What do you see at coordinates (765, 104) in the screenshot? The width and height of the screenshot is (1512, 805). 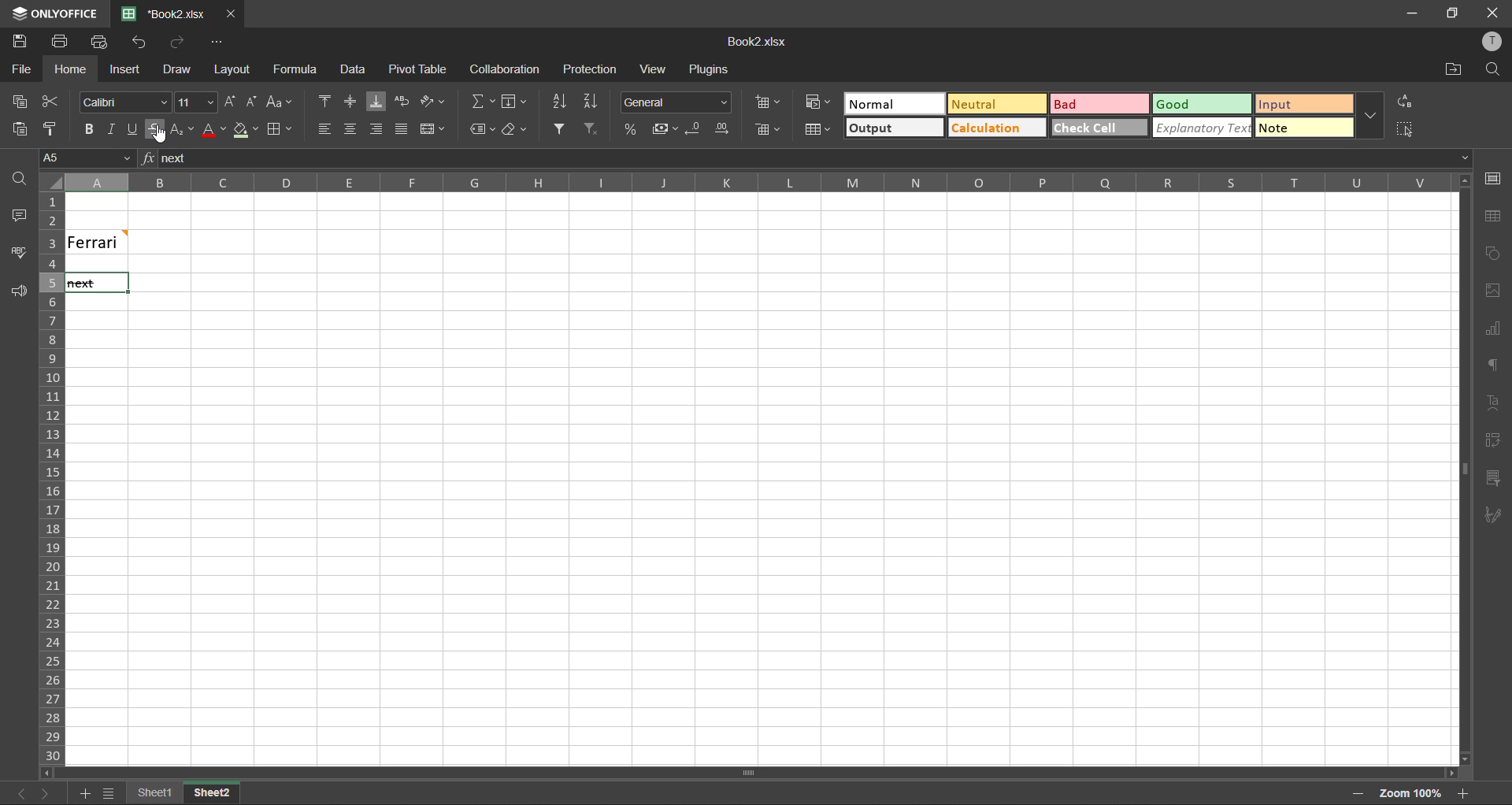 I see `insert cells` at bounding box center [765, 104].